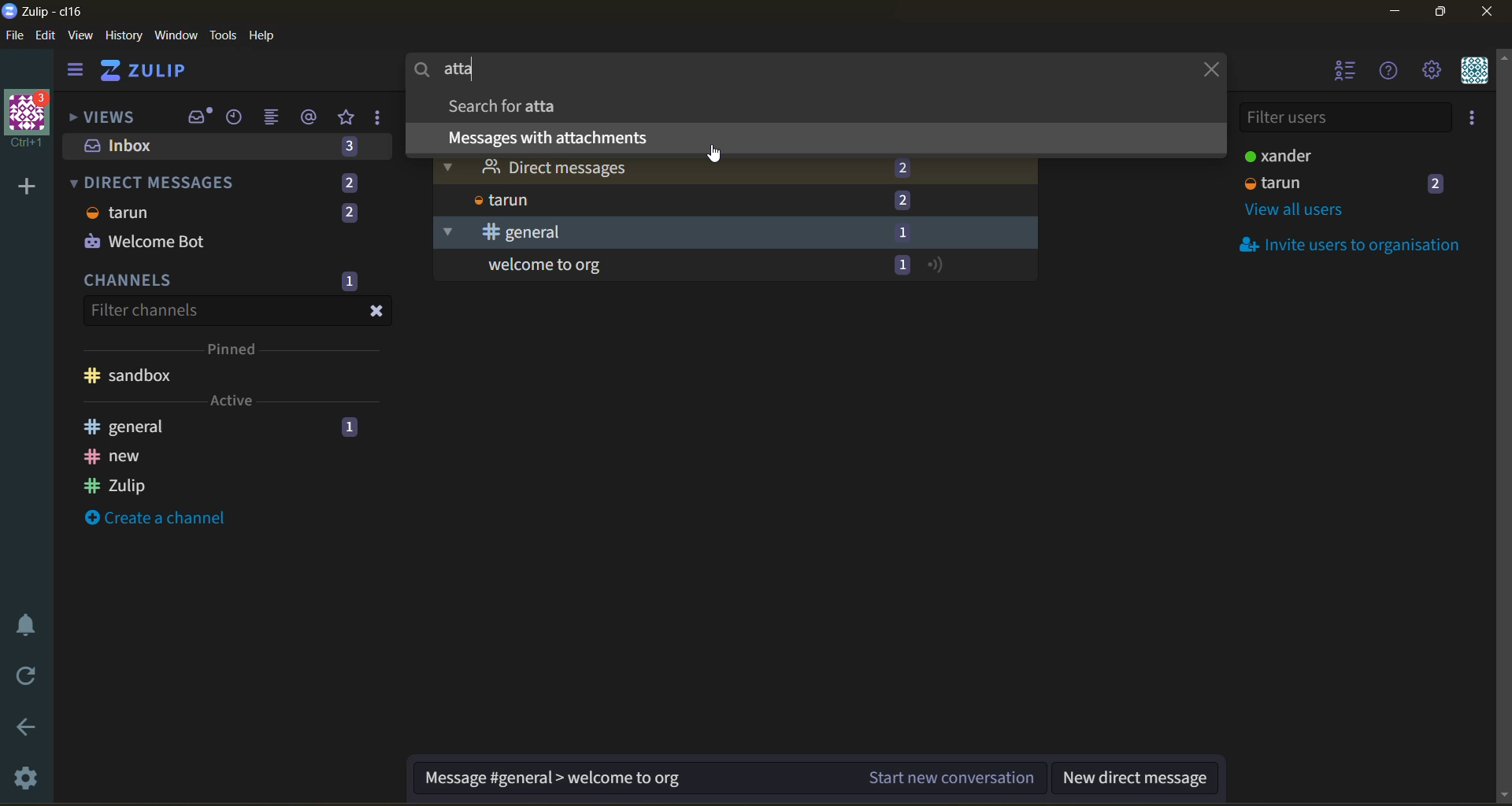 Image resolution: width=1512 pixels, height=806 pixels. What do you see at coordinates (124, 426) in the screenshot?
I see `# general` at bounding box center [124, 426].